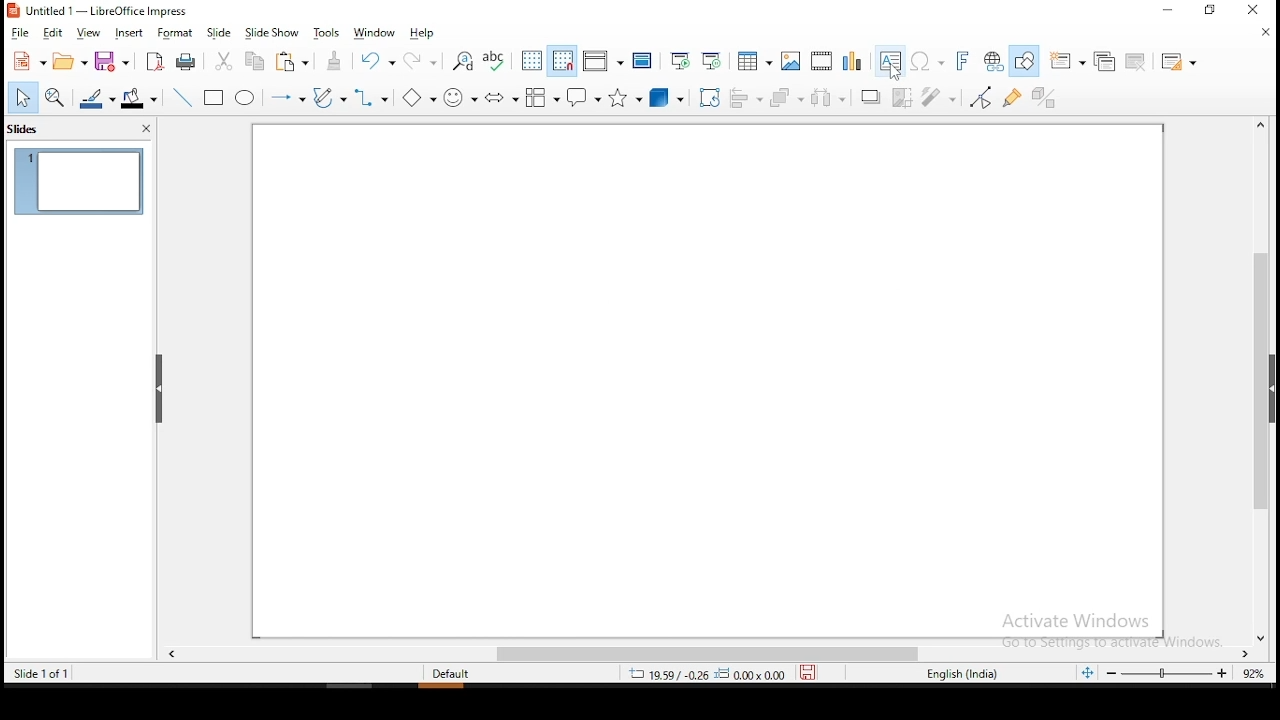 The width and height of the screenshot is (1280, 720). What do you see at coordinates (456, 674) in the screenshot?
I see `default` at bounding box center [456, 674].